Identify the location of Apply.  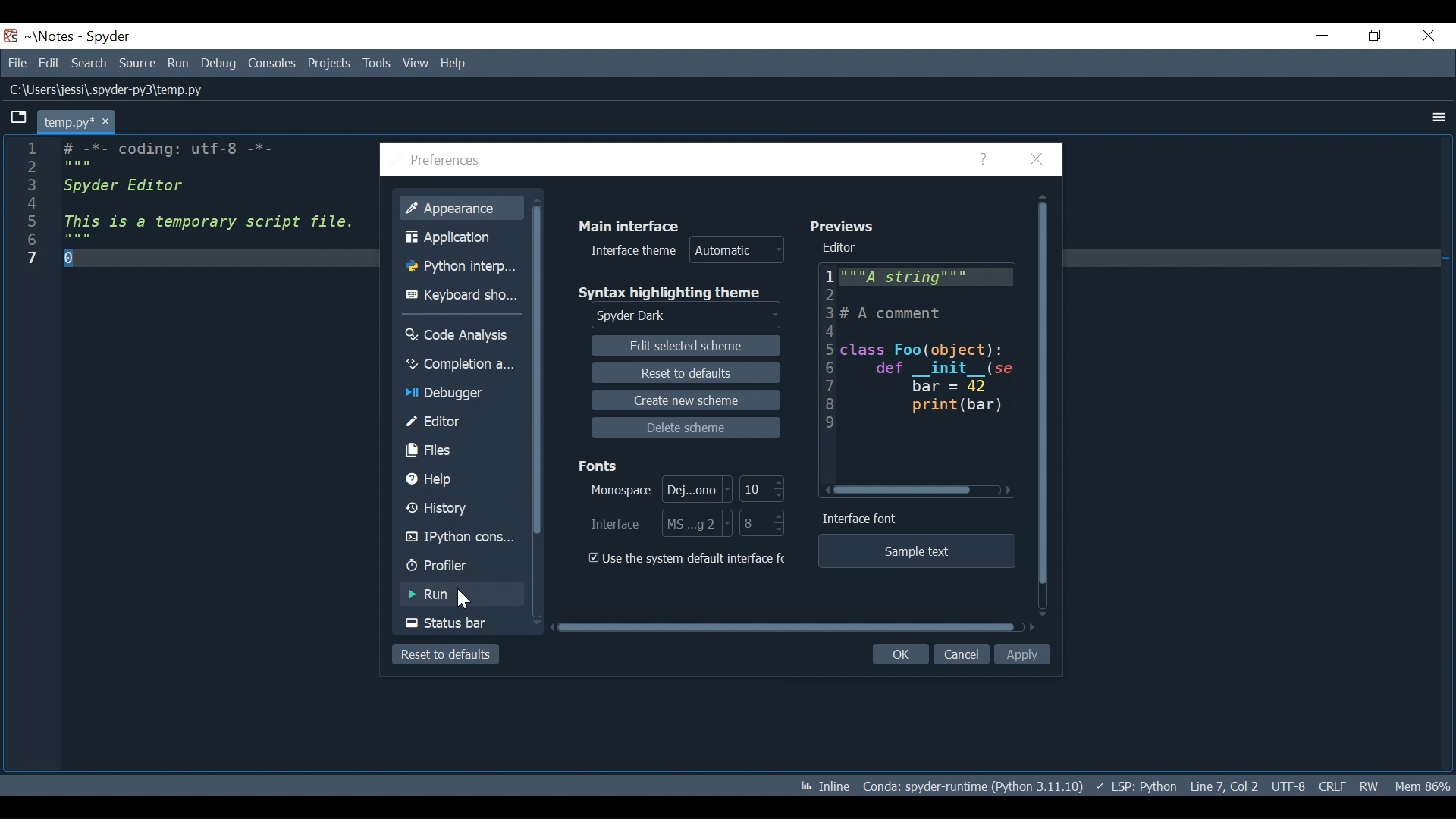
(1023, 656).